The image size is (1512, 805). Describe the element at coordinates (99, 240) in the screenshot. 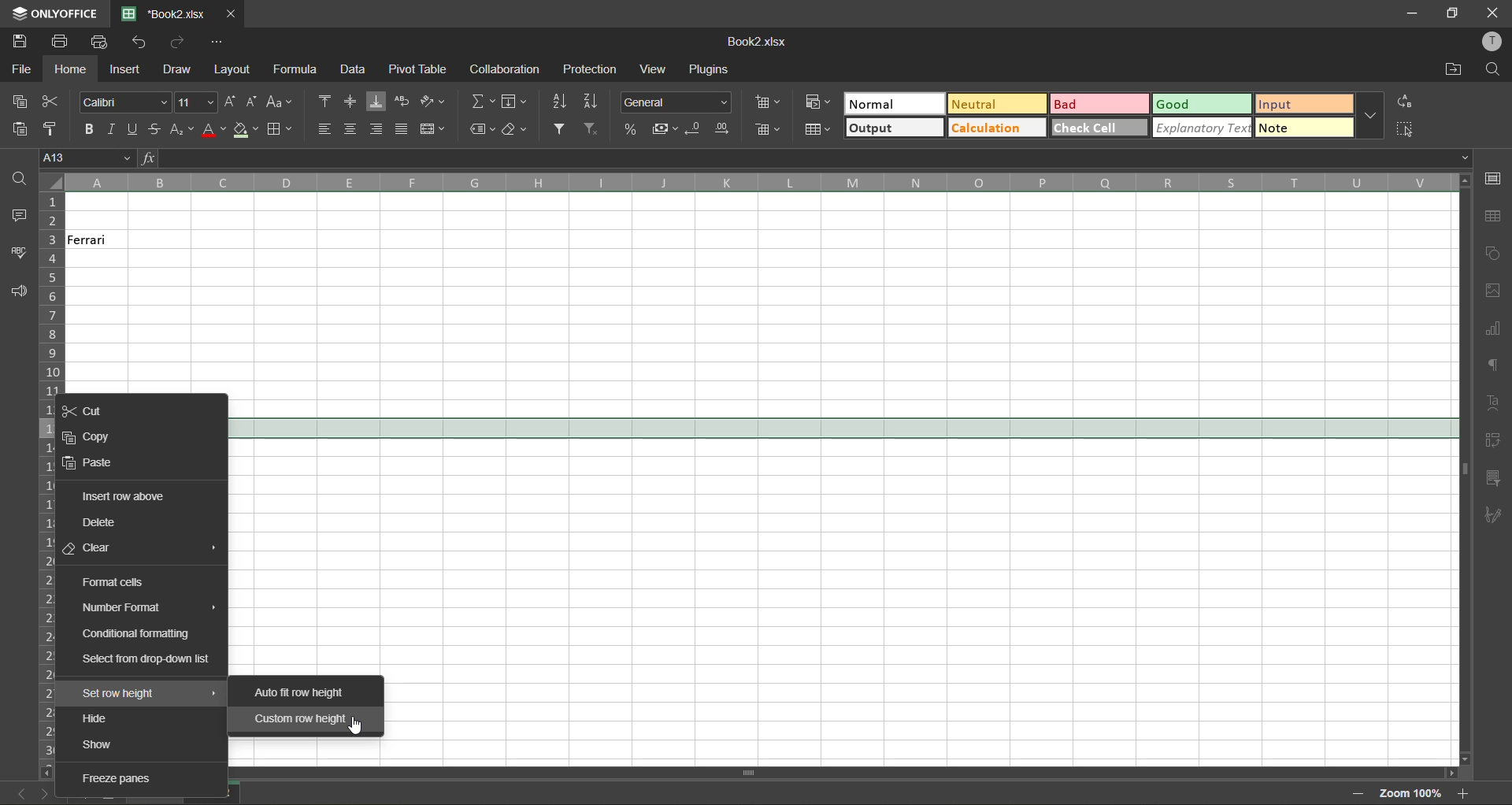

I see `Ferrari` at that location.